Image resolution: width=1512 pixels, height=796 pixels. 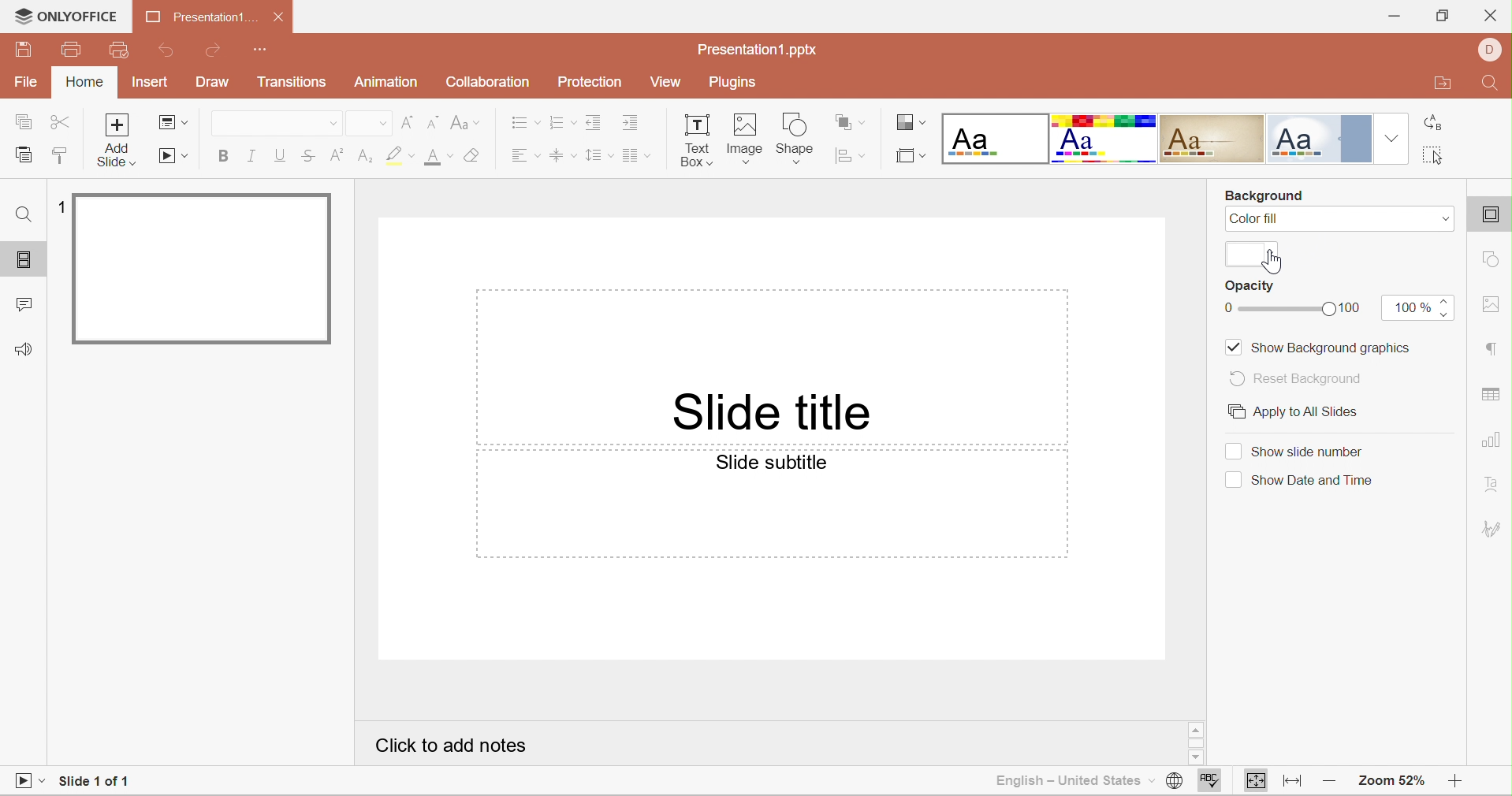 What do you see at coordinates (330, 125) in the screenshot?
I see `Drop Down` at bounding box center [330, 125].